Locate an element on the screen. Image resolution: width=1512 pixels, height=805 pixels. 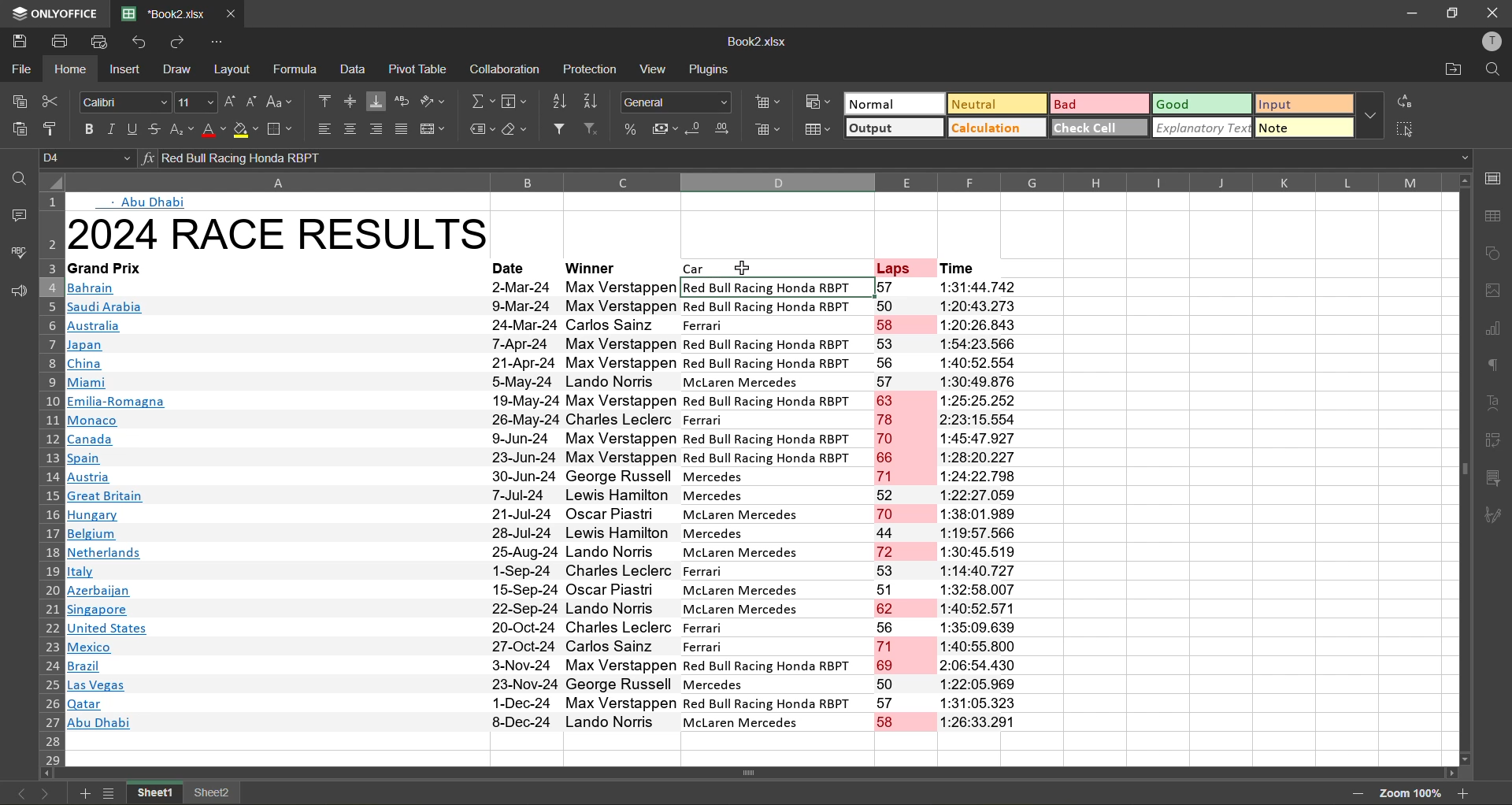
home is located at coordinates (70, 73).